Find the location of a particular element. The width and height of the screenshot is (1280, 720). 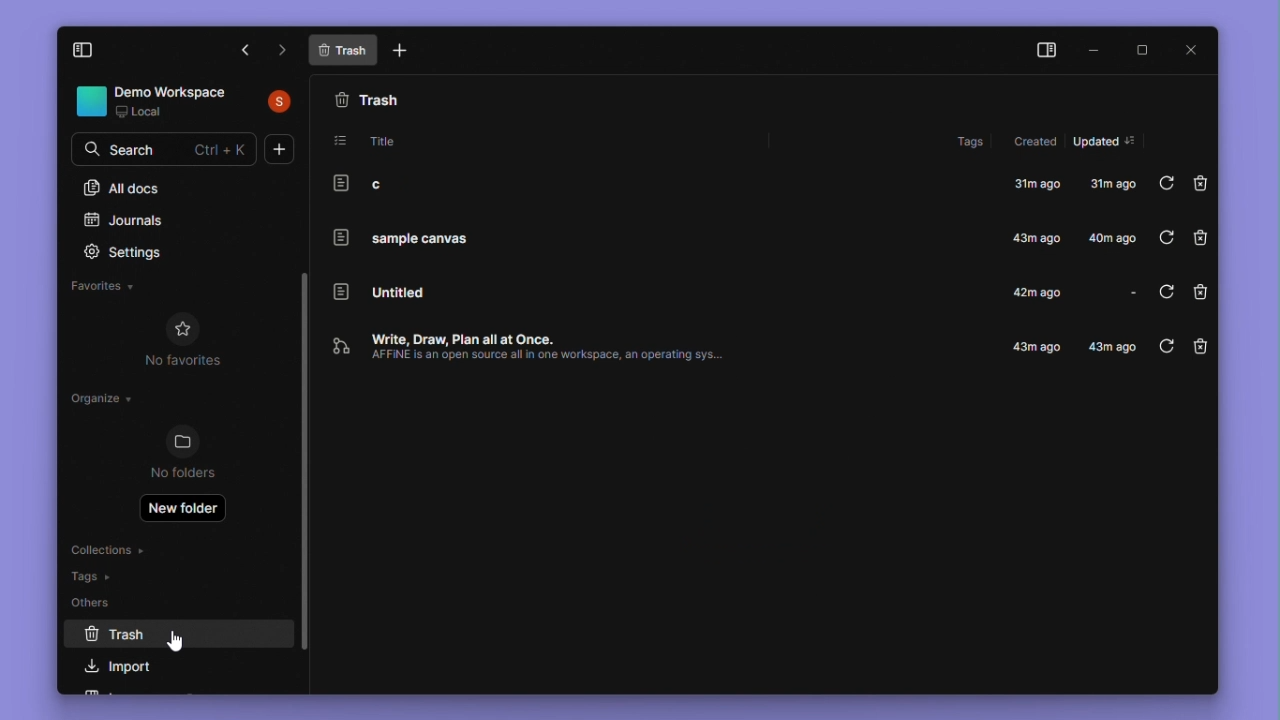

Updated is located at coordinates (1106, 142).